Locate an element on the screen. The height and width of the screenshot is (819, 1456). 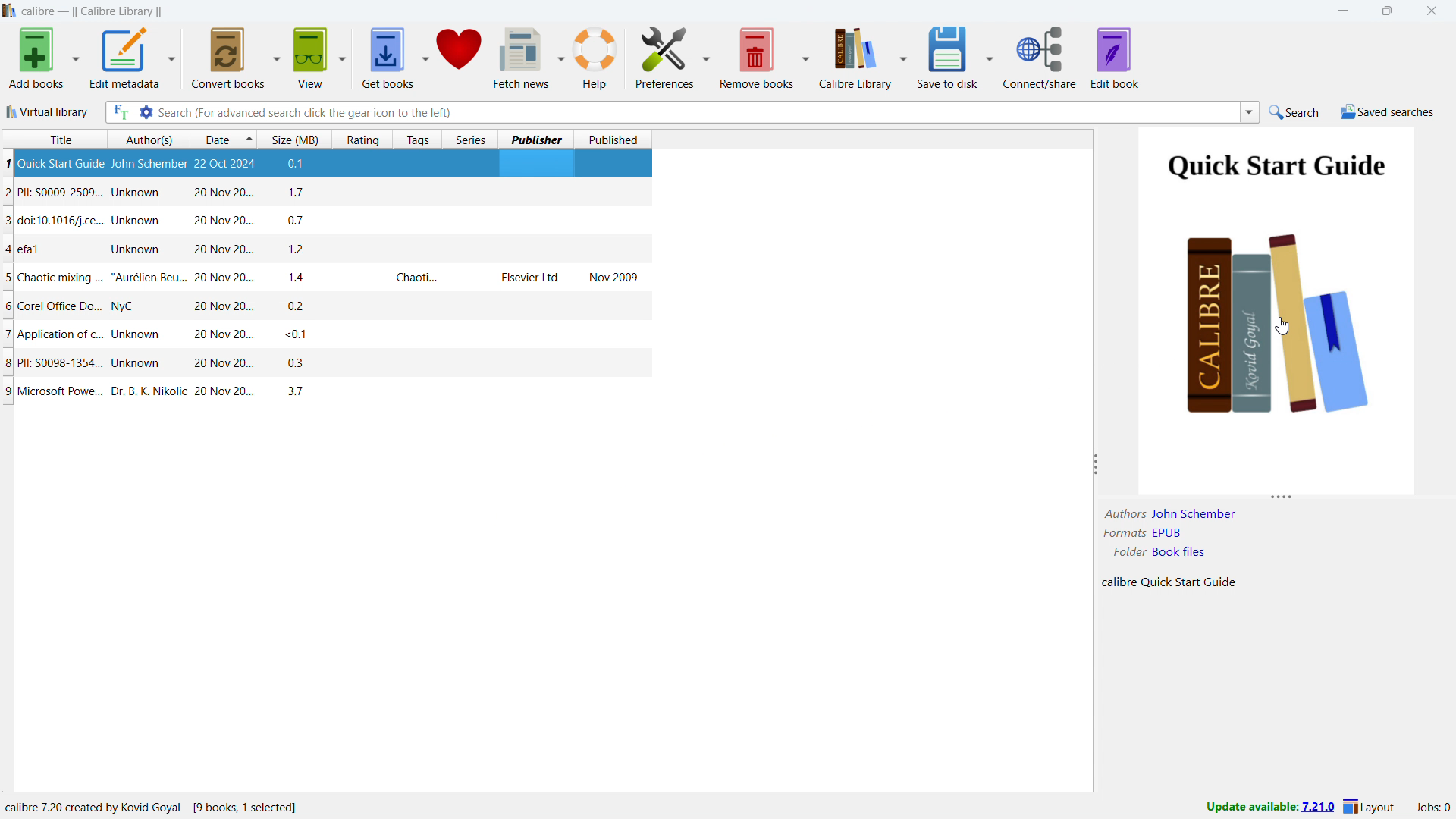
title is located at coordinates (52, 139).